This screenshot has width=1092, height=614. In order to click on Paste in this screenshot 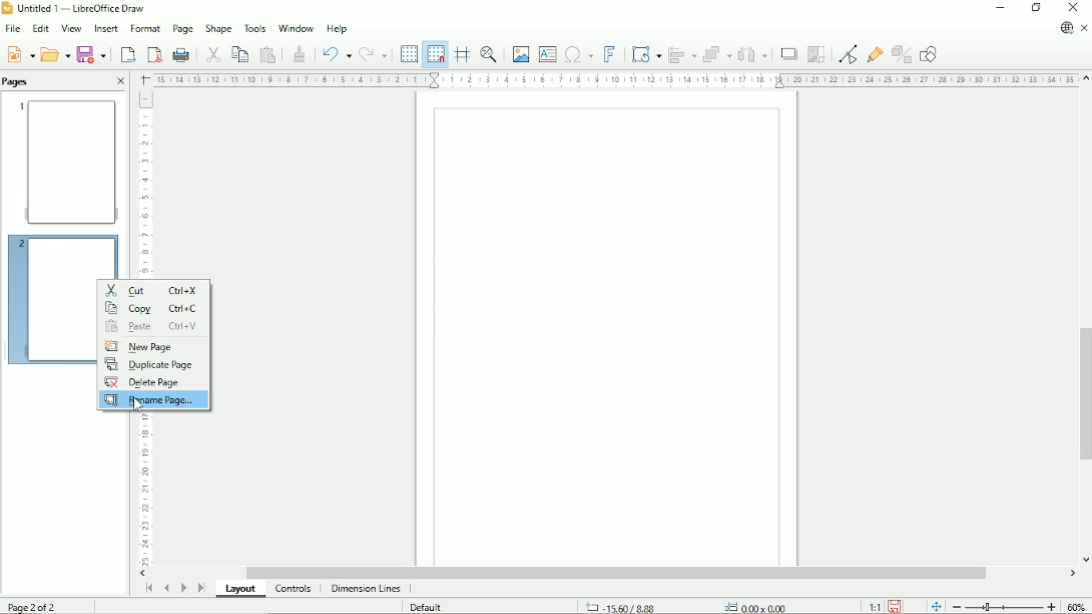, I will do `click(152, 328)`.